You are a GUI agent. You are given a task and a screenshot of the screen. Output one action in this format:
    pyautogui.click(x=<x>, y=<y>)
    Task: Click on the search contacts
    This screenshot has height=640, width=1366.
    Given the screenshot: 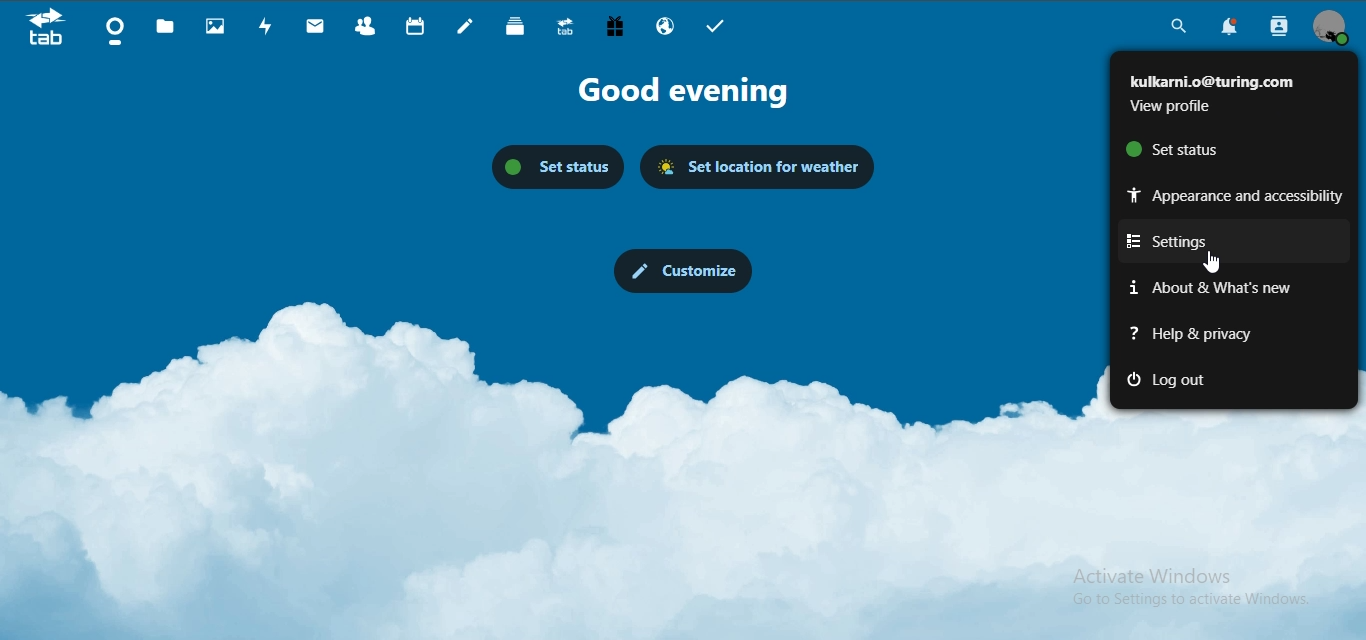 What is the action you would take?
    pyautogui.click(x=1280, y=27)
    